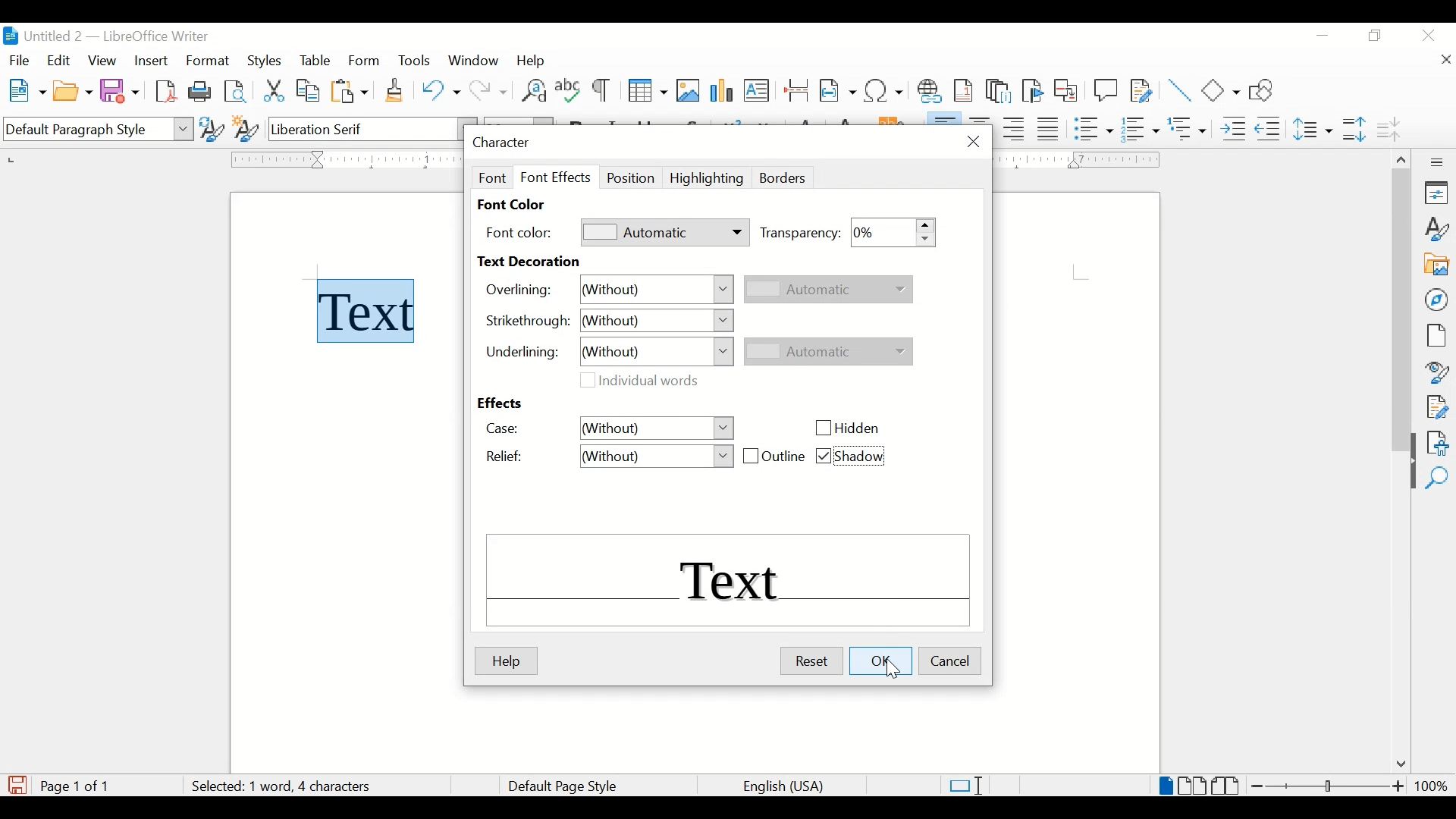 The width and height of the screenshot is (1456, 819). Describe the element at coordinates (810, 661) in the screenshot. I see `reset` at that location.